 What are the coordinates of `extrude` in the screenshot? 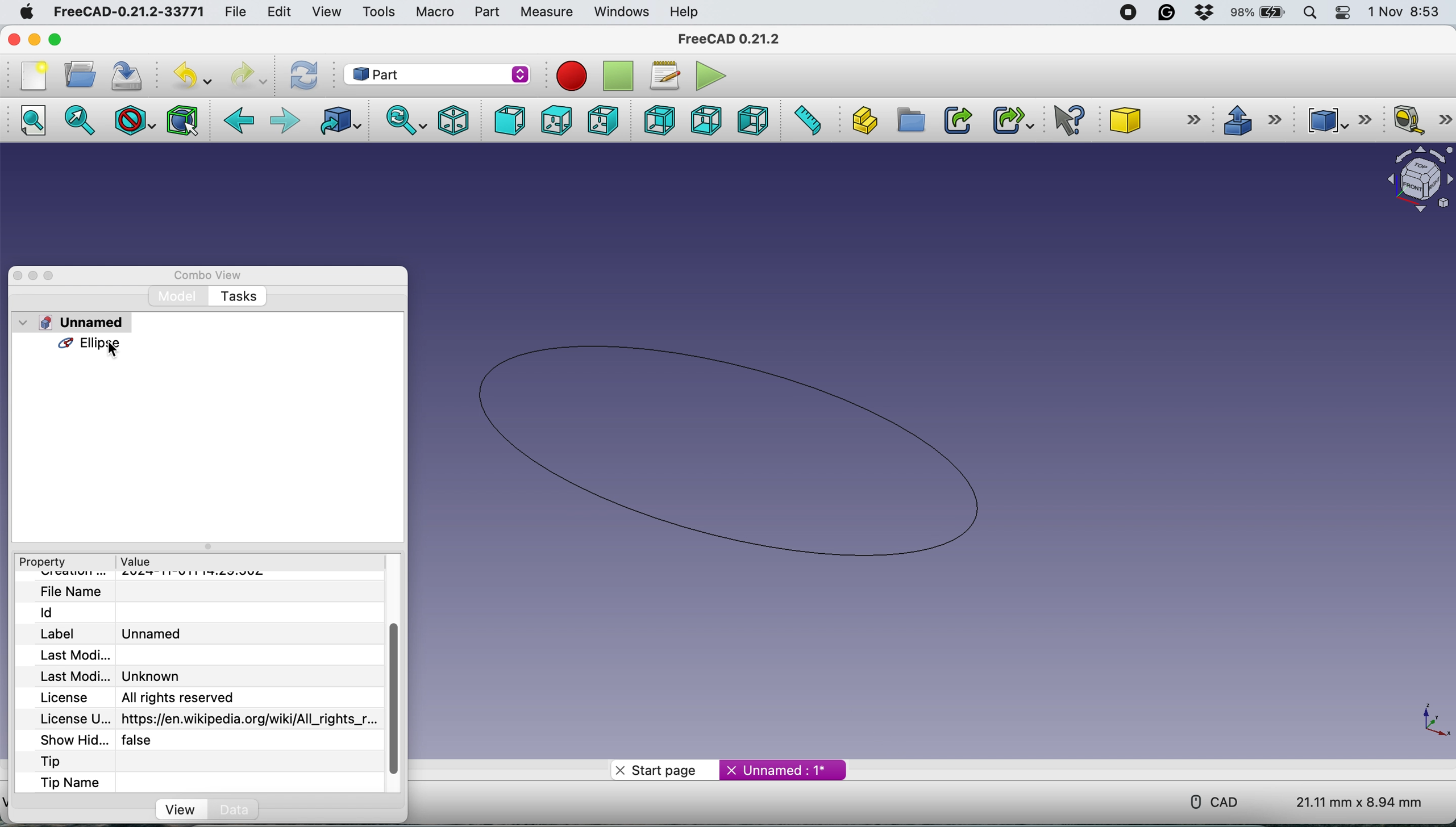 It's located at (1254, 122).